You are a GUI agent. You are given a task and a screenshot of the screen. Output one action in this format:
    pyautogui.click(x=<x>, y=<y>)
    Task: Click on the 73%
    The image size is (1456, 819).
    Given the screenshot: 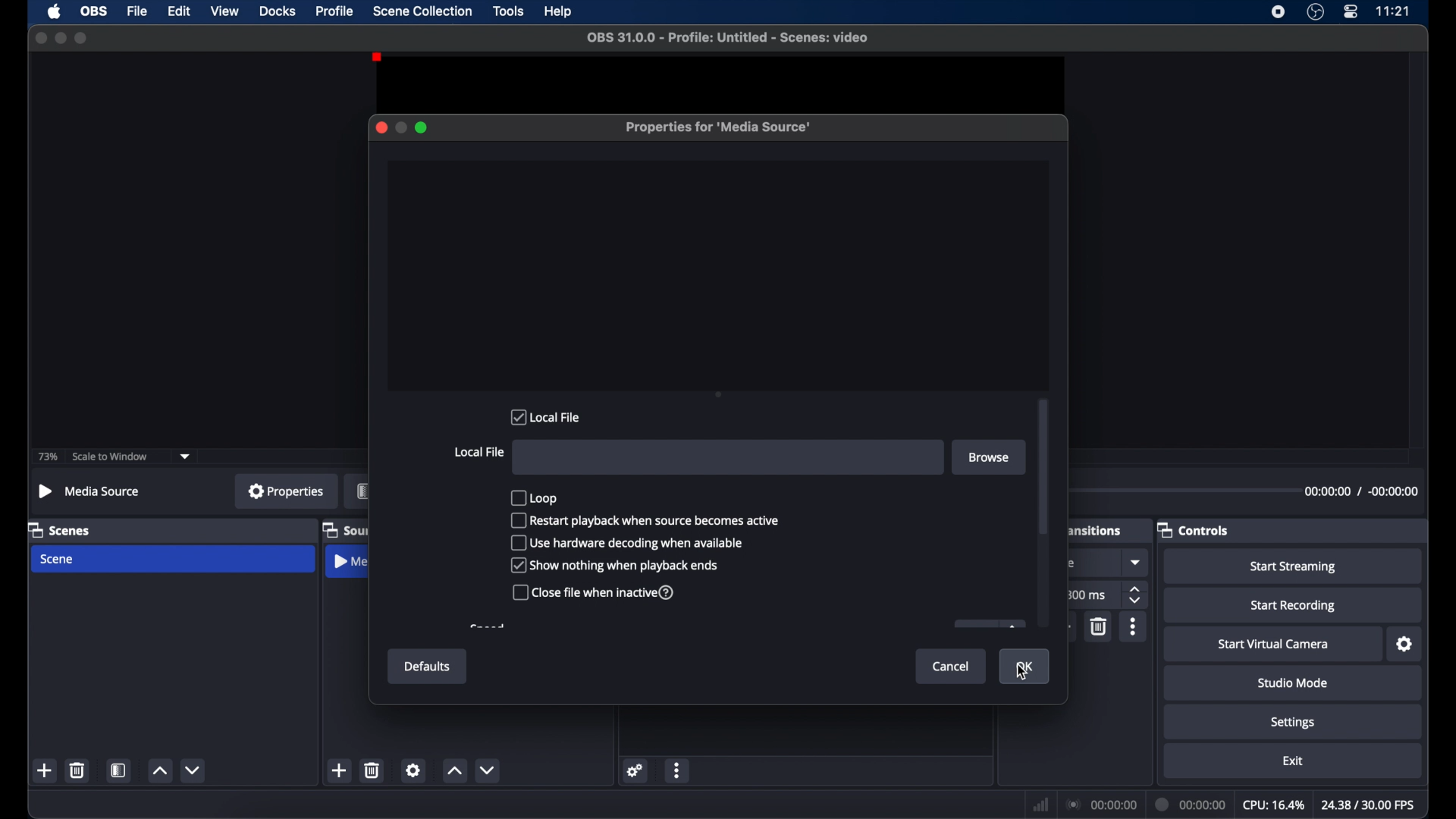 What is the action you would take?
    pyautogui.click(x=47, y=457)
    